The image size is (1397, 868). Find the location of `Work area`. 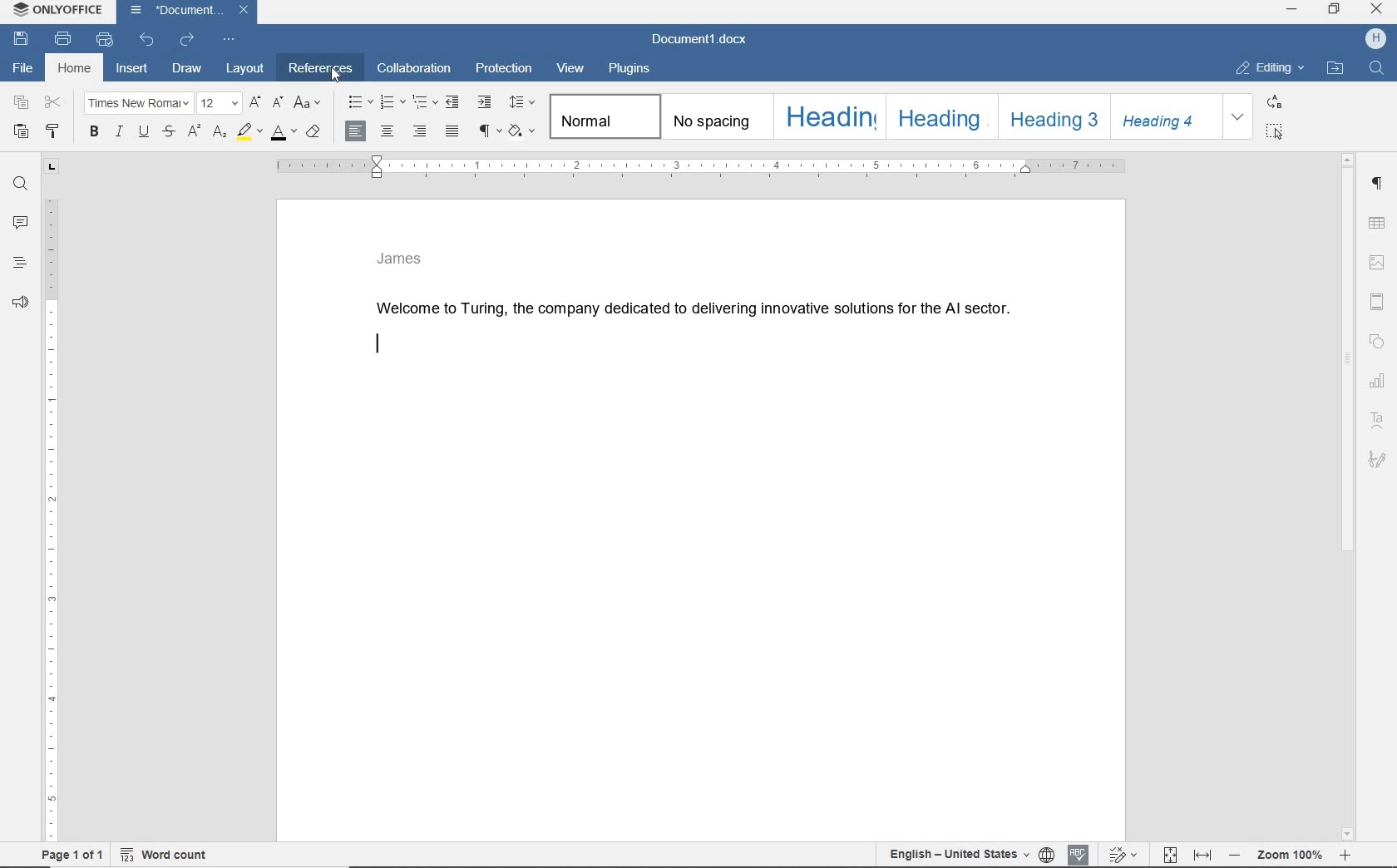

Work area is located at coordinates (703, 609).